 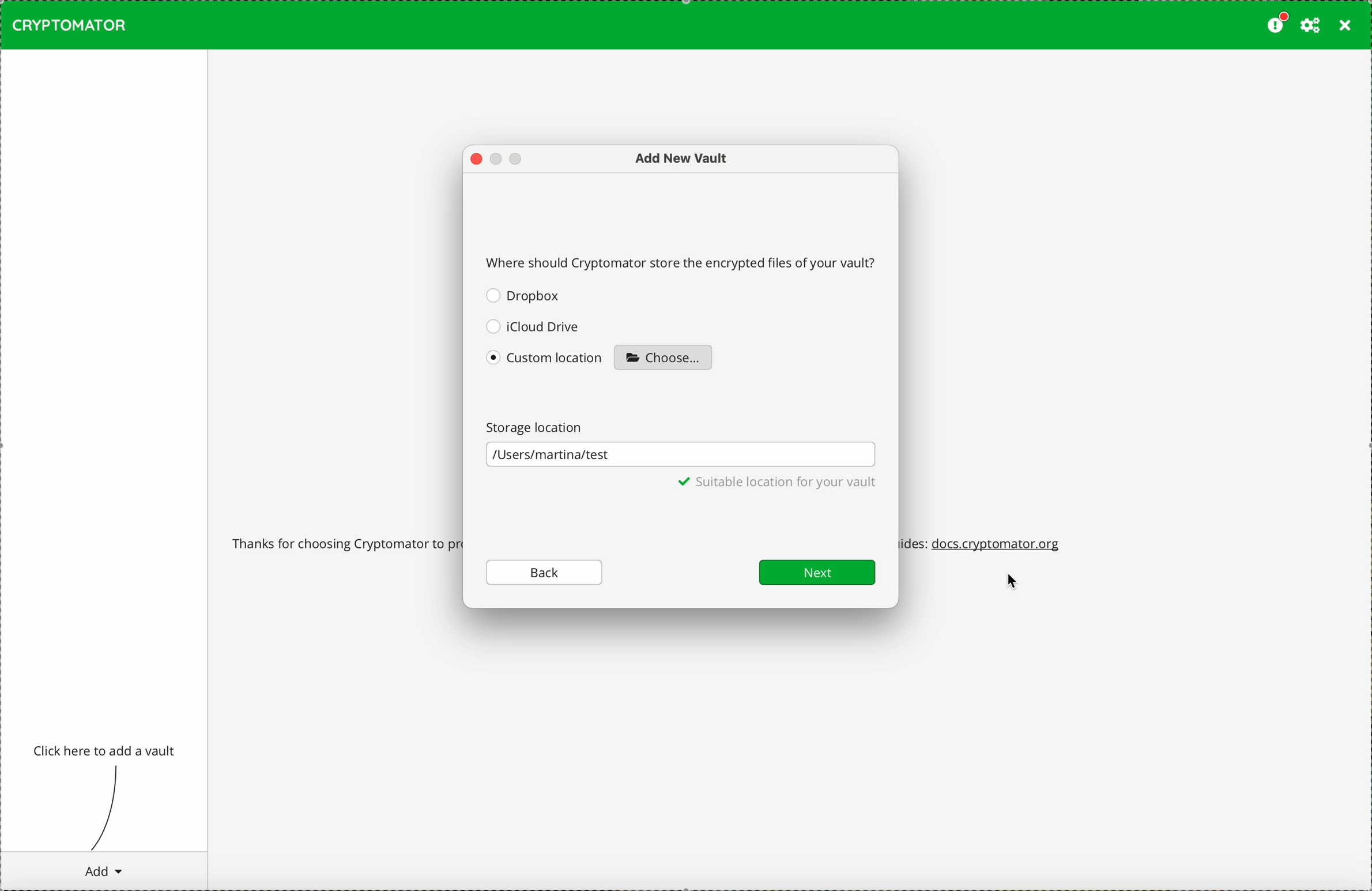 I want to click on preferences, so click(x=1310, y=25).